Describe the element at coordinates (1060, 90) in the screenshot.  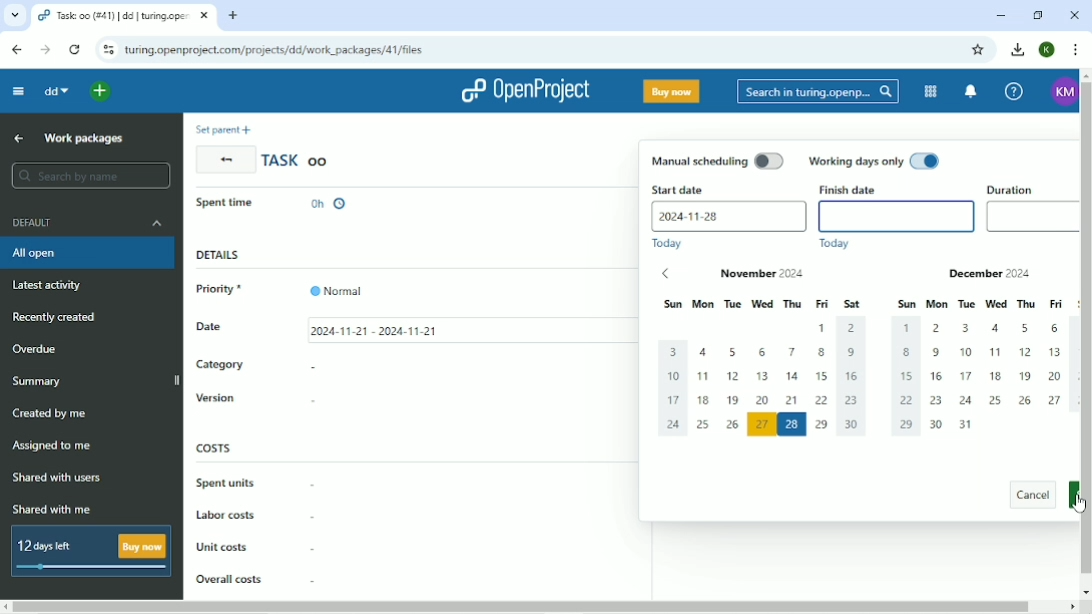
I see `KM` at that location.